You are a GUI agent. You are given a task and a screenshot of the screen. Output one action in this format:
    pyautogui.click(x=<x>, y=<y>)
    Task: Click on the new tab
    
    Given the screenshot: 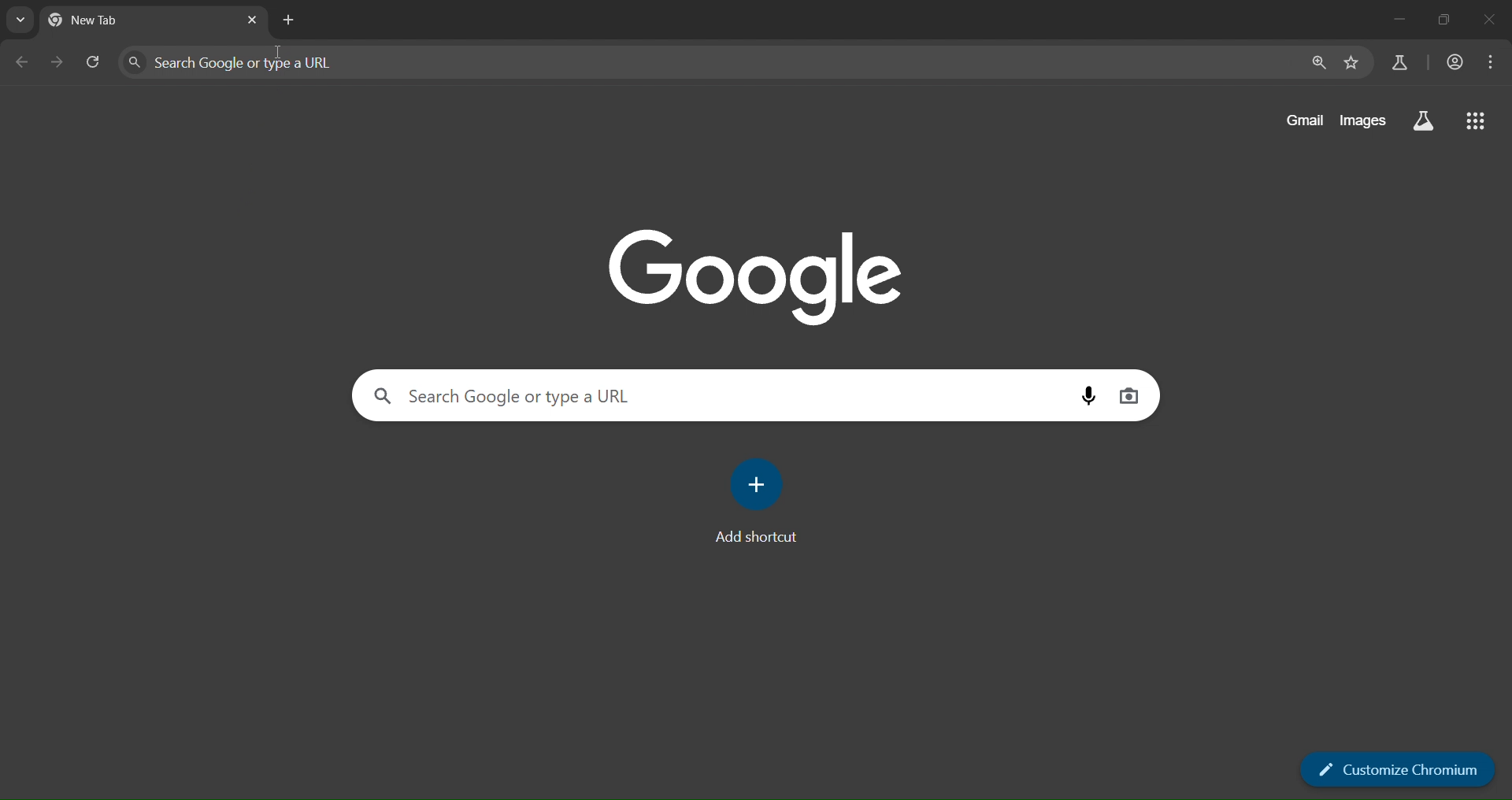 What is the action you would take?
    pyautogui.click(x=106, y=24)
    